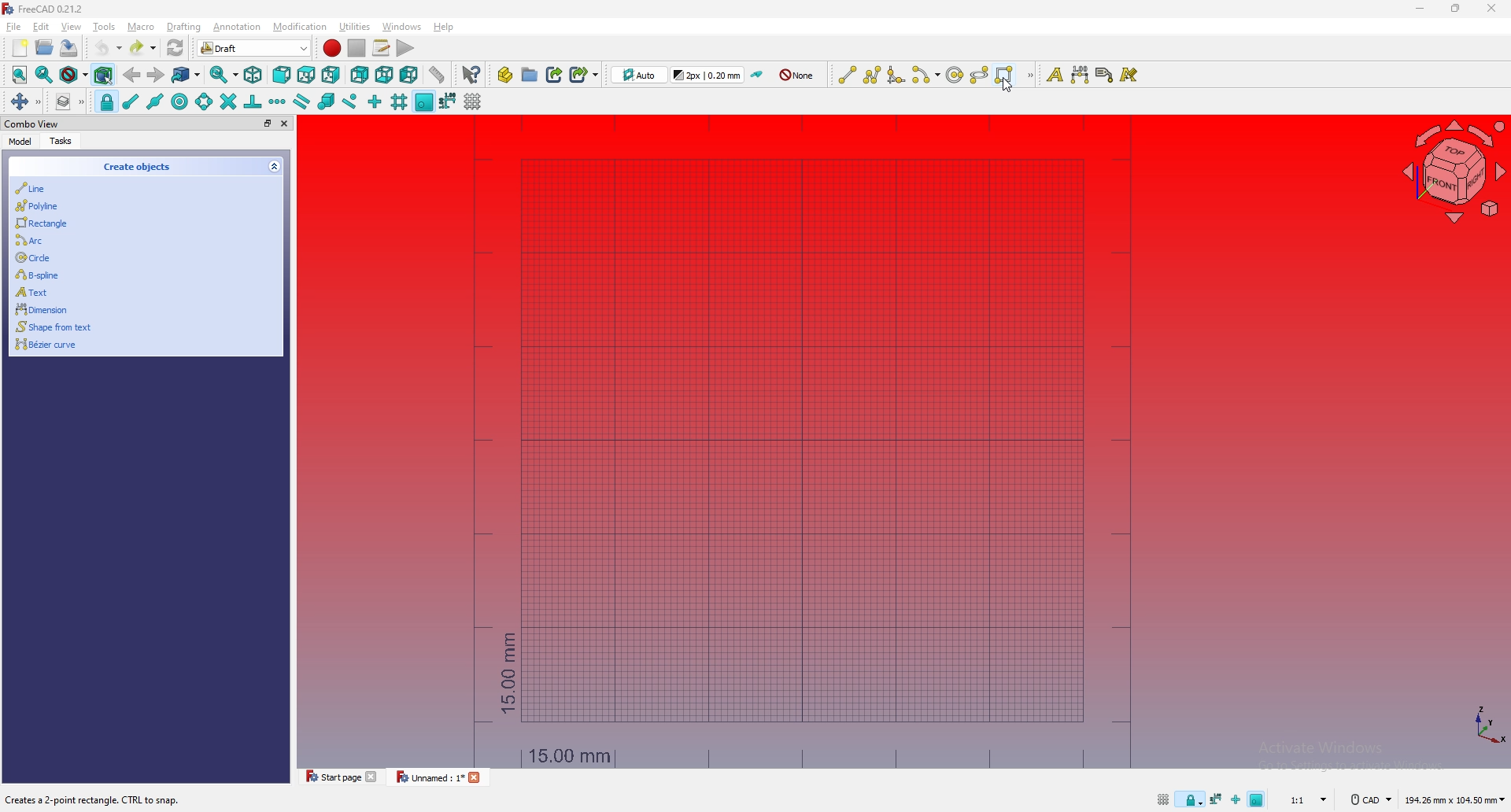 The width and height of the screenshot is (1511, 812). What do you see at coordinates (530, 74) in the screenshot?
I see `create group` at bounding box center [530, 74].